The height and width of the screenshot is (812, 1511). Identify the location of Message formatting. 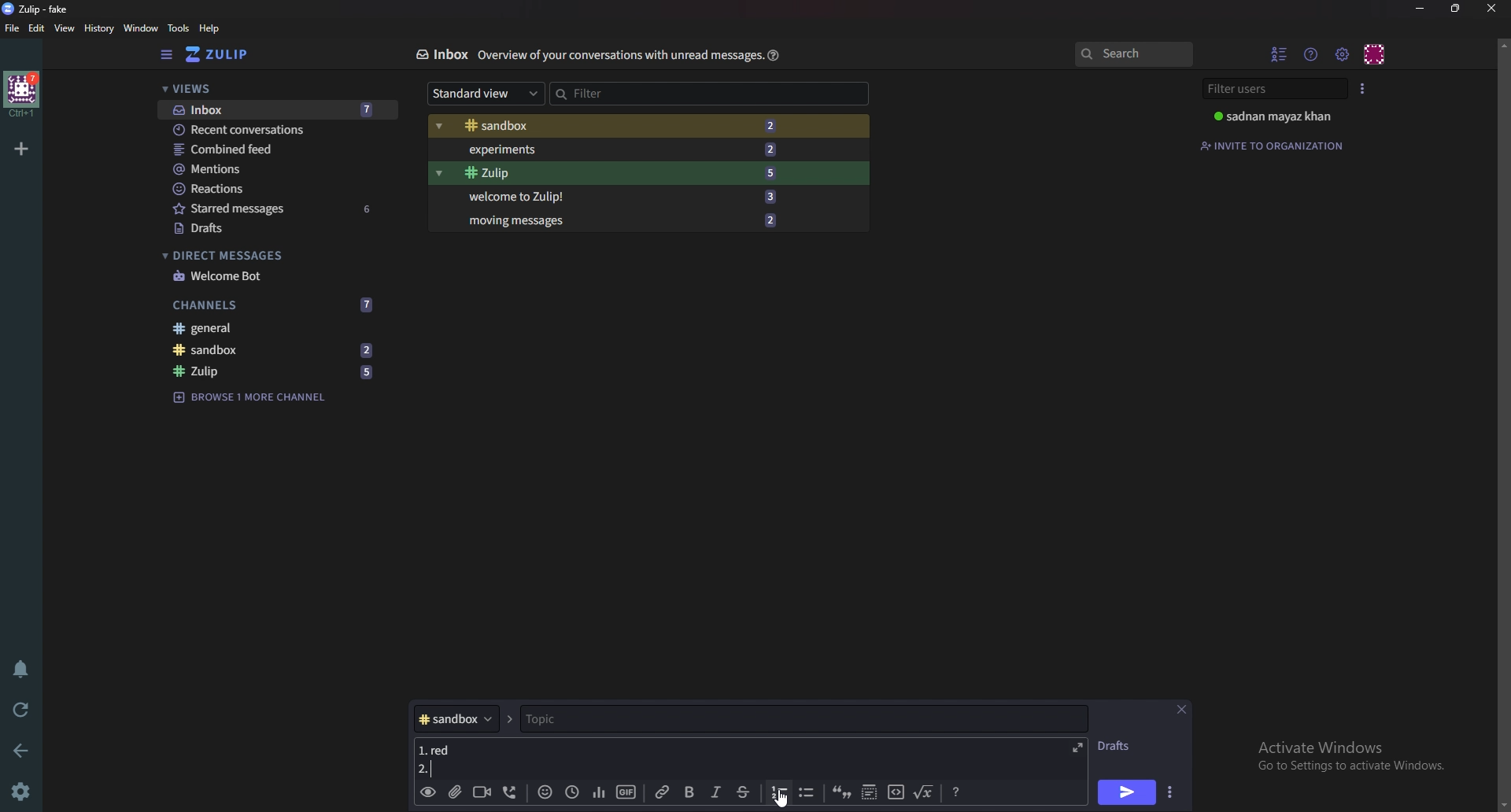
(955, 792).